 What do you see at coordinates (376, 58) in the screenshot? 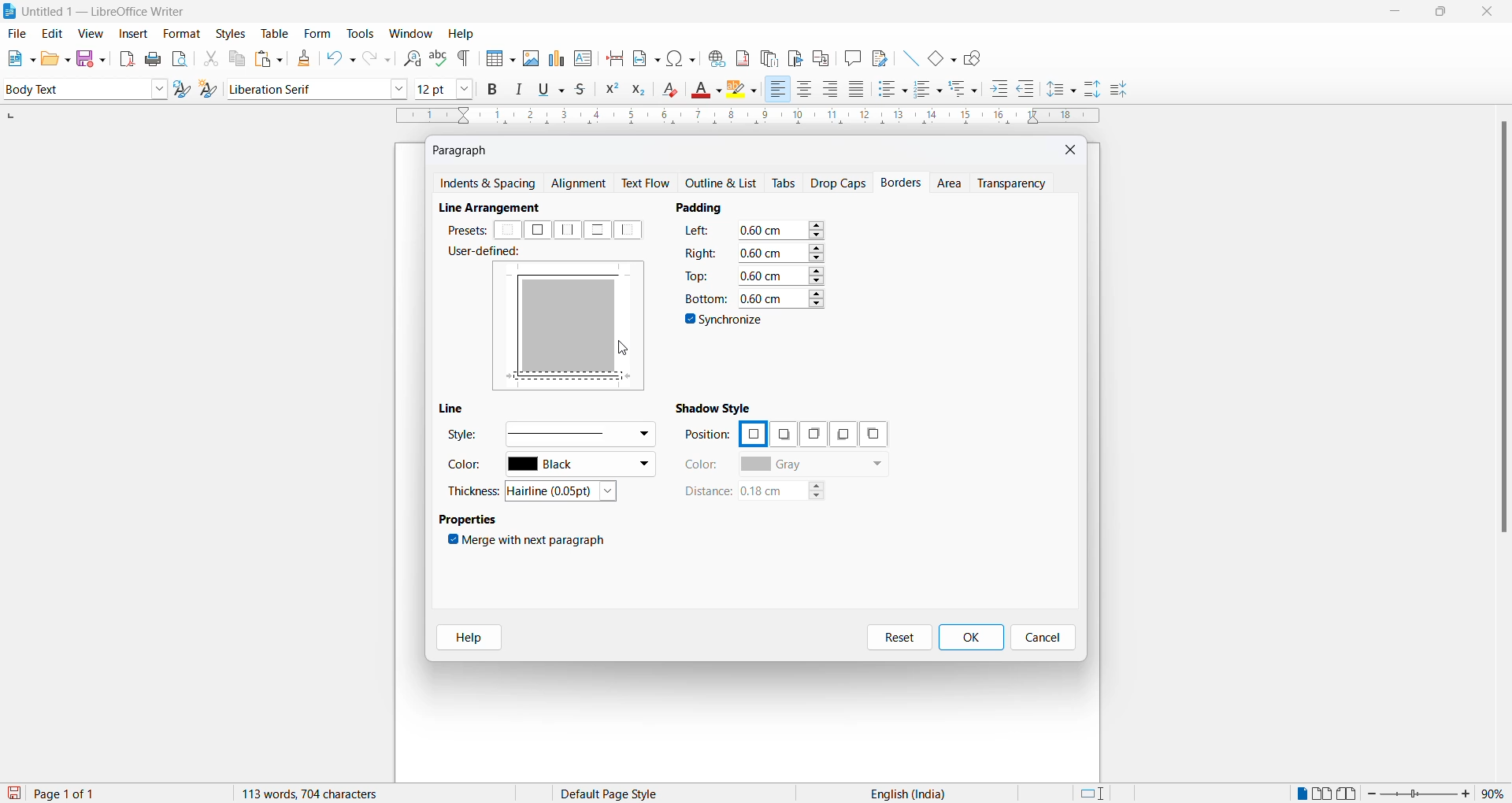
I see `redo` at bounding box center [376, 58].